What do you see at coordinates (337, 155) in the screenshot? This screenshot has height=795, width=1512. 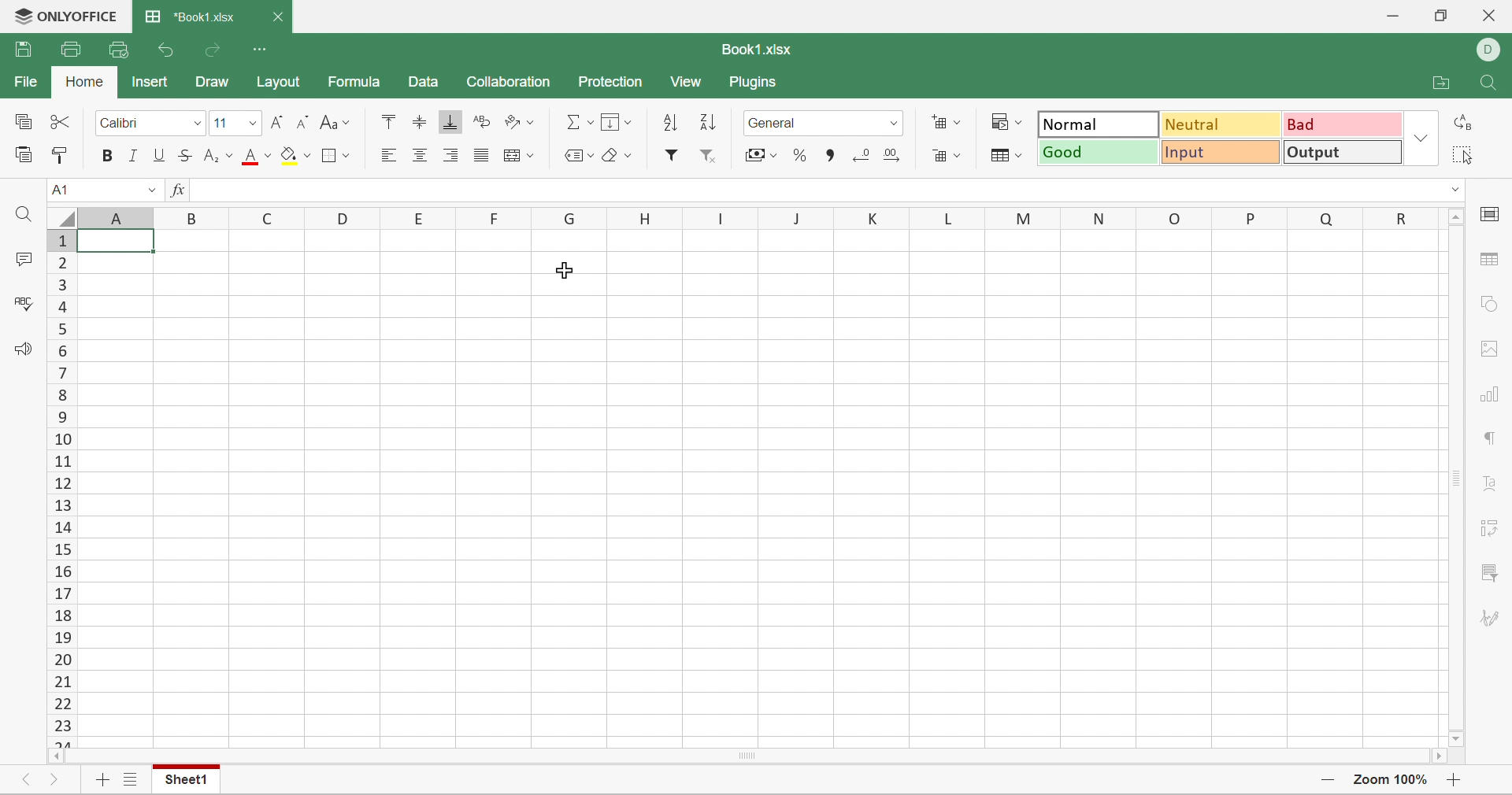 I see `Borders` at bounding box center [337, 155].